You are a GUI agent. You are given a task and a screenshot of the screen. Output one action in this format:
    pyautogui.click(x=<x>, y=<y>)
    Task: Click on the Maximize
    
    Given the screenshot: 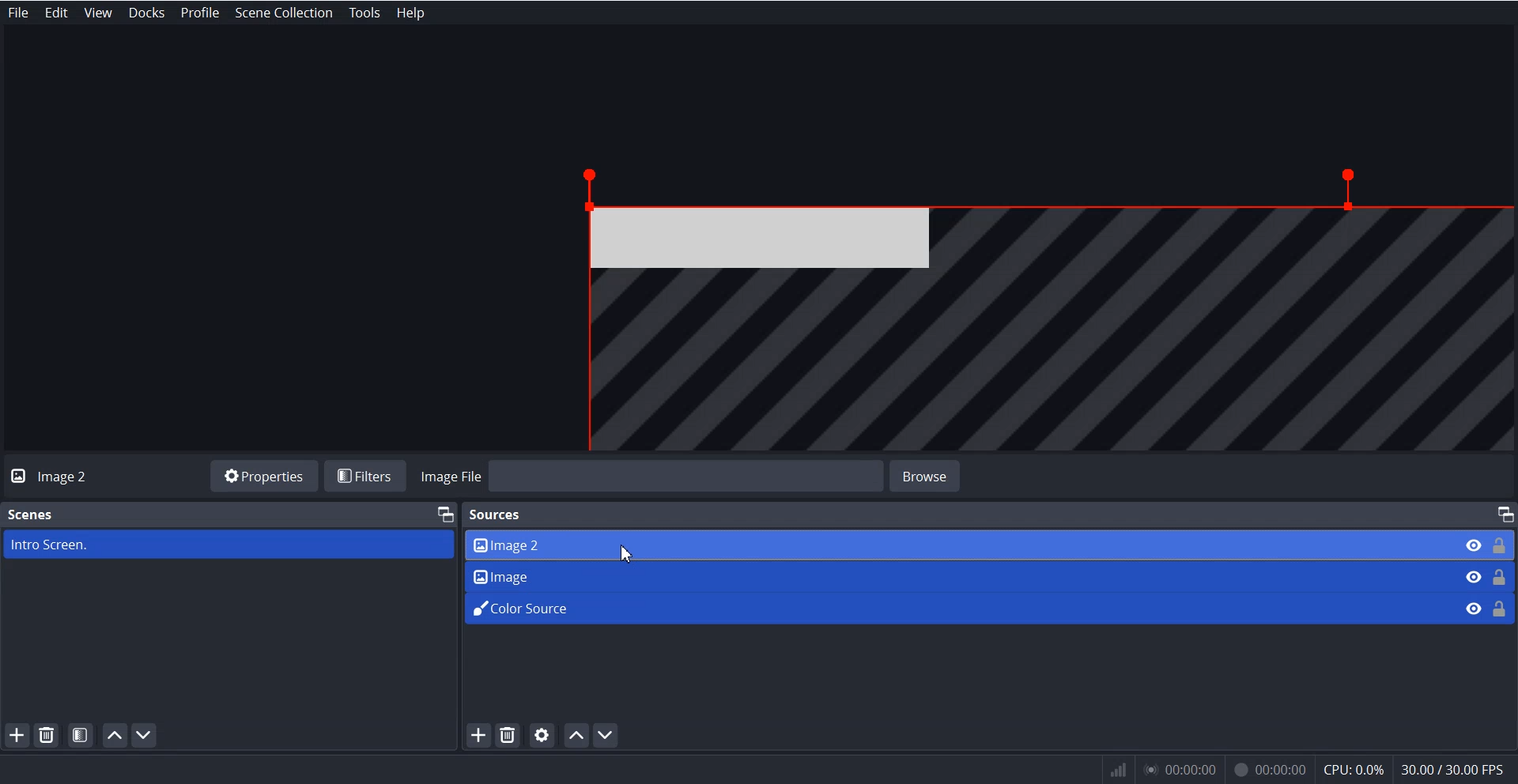 What is the action you would take?
    pyautogui.click(x=1504, y=514)
    